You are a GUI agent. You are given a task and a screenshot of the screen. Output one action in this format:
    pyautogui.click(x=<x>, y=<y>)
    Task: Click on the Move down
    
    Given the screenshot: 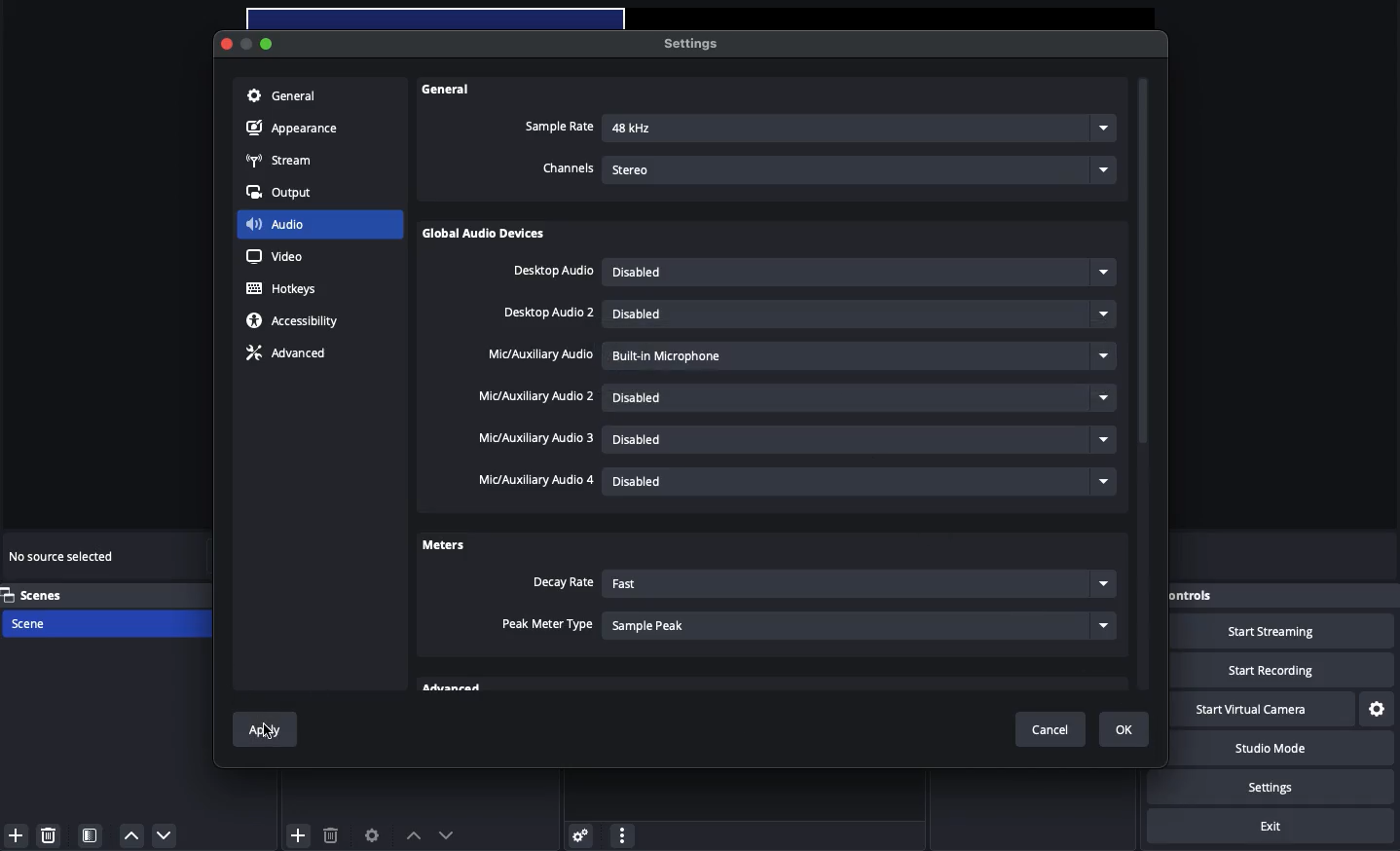 What is the action you would take?
    pyautogui.click(x=446, y=834)
    